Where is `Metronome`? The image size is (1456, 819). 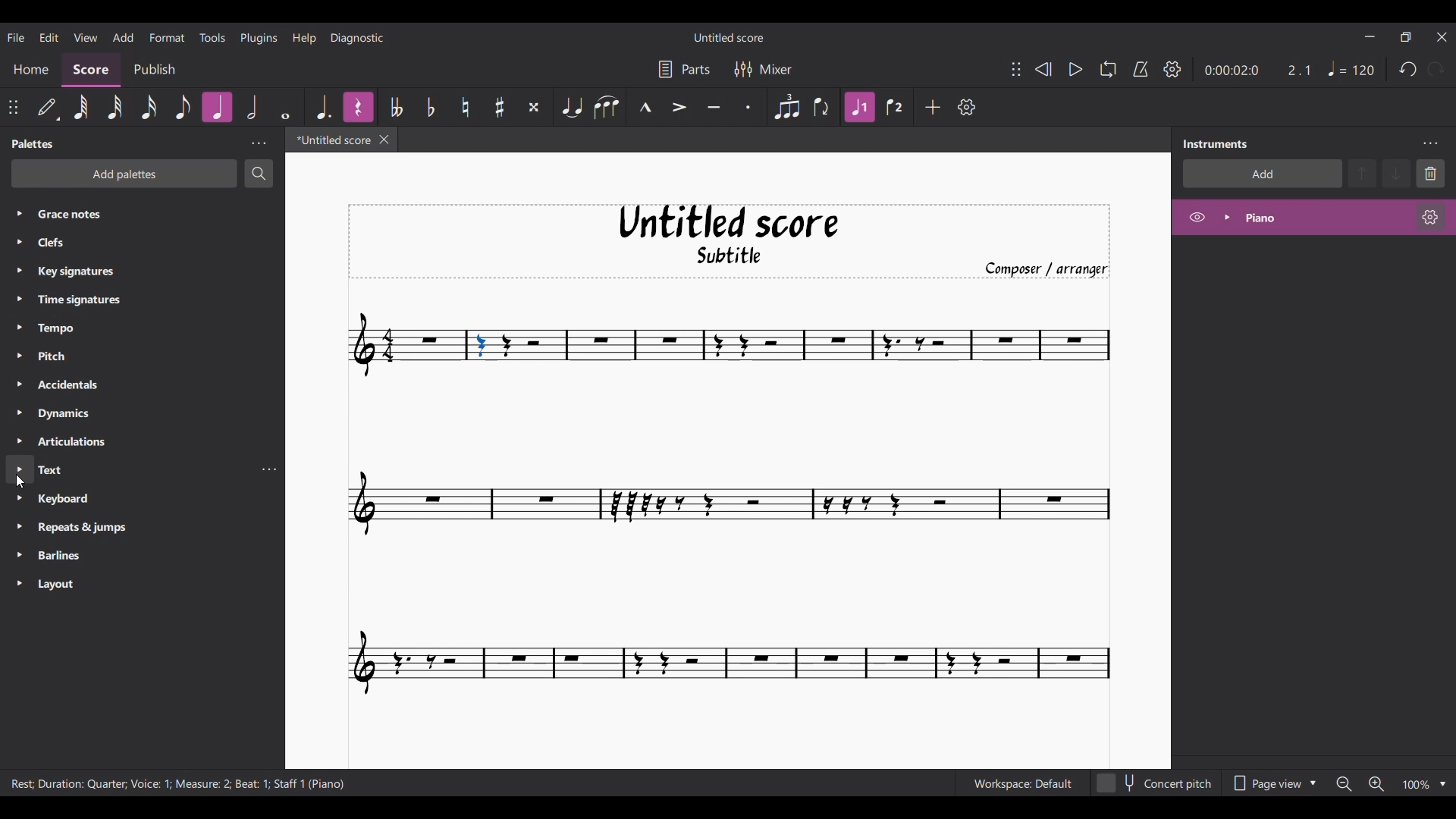
Metronome is located at coordinates (1141, 69).